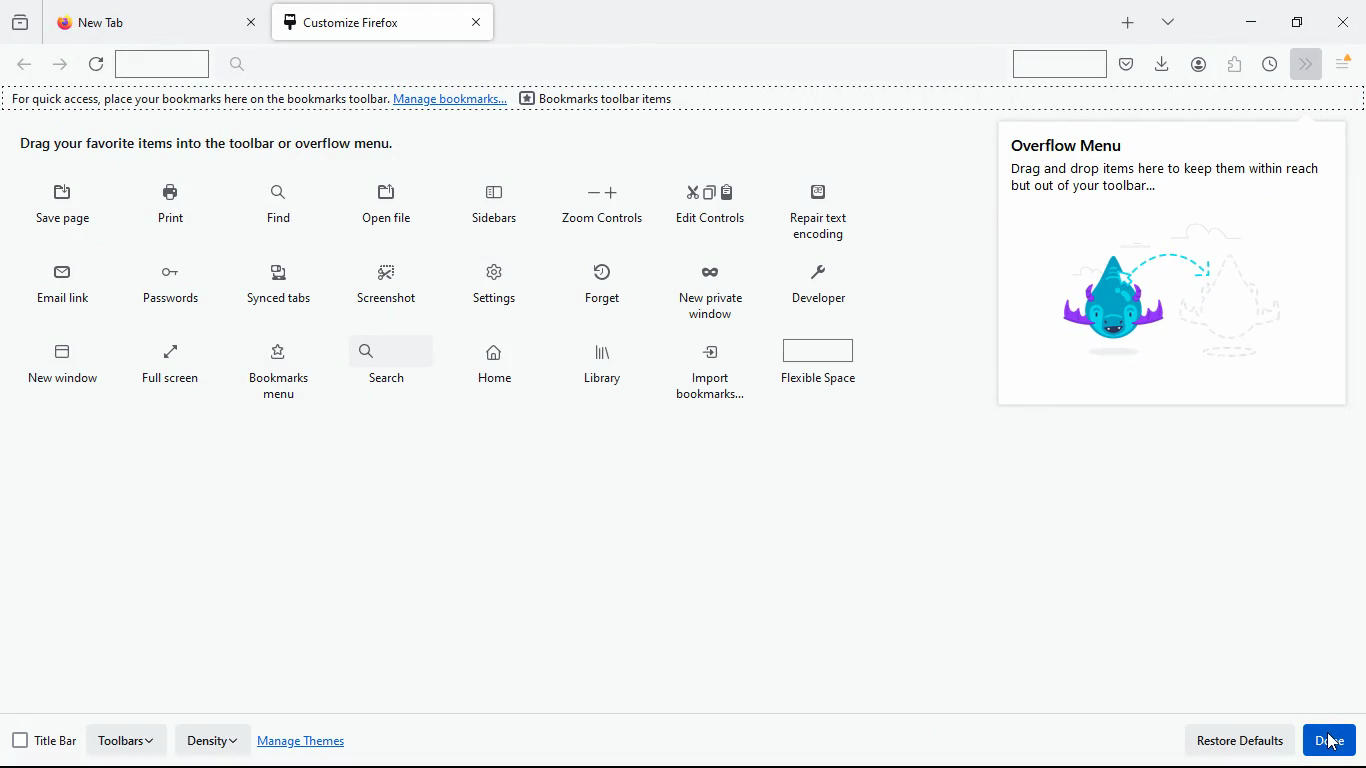 The image size is (1366, 768). I want to click on email link, so click(180, 286).